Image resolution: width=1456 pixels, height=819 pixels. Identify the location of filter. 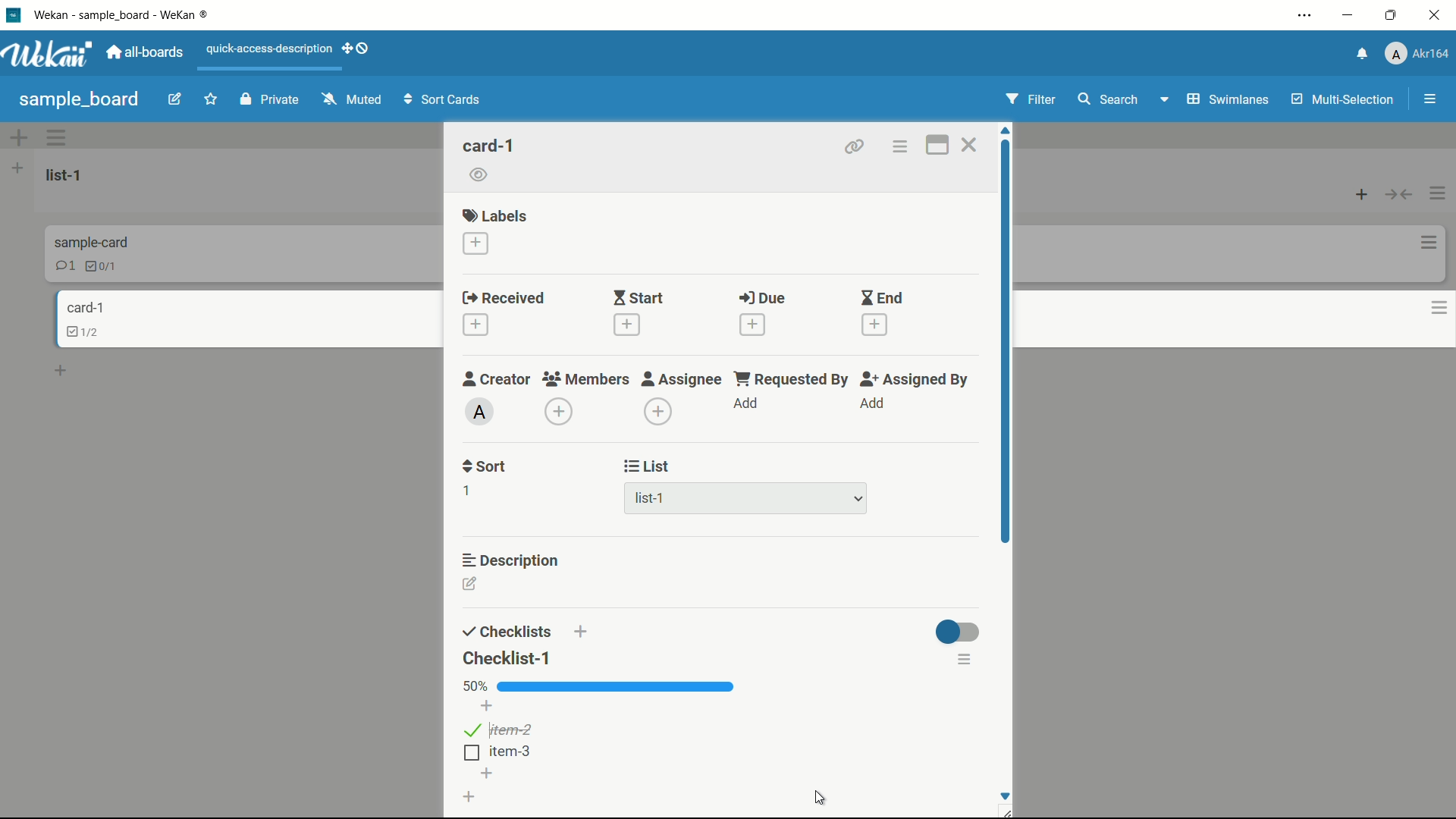
(1030, 99).